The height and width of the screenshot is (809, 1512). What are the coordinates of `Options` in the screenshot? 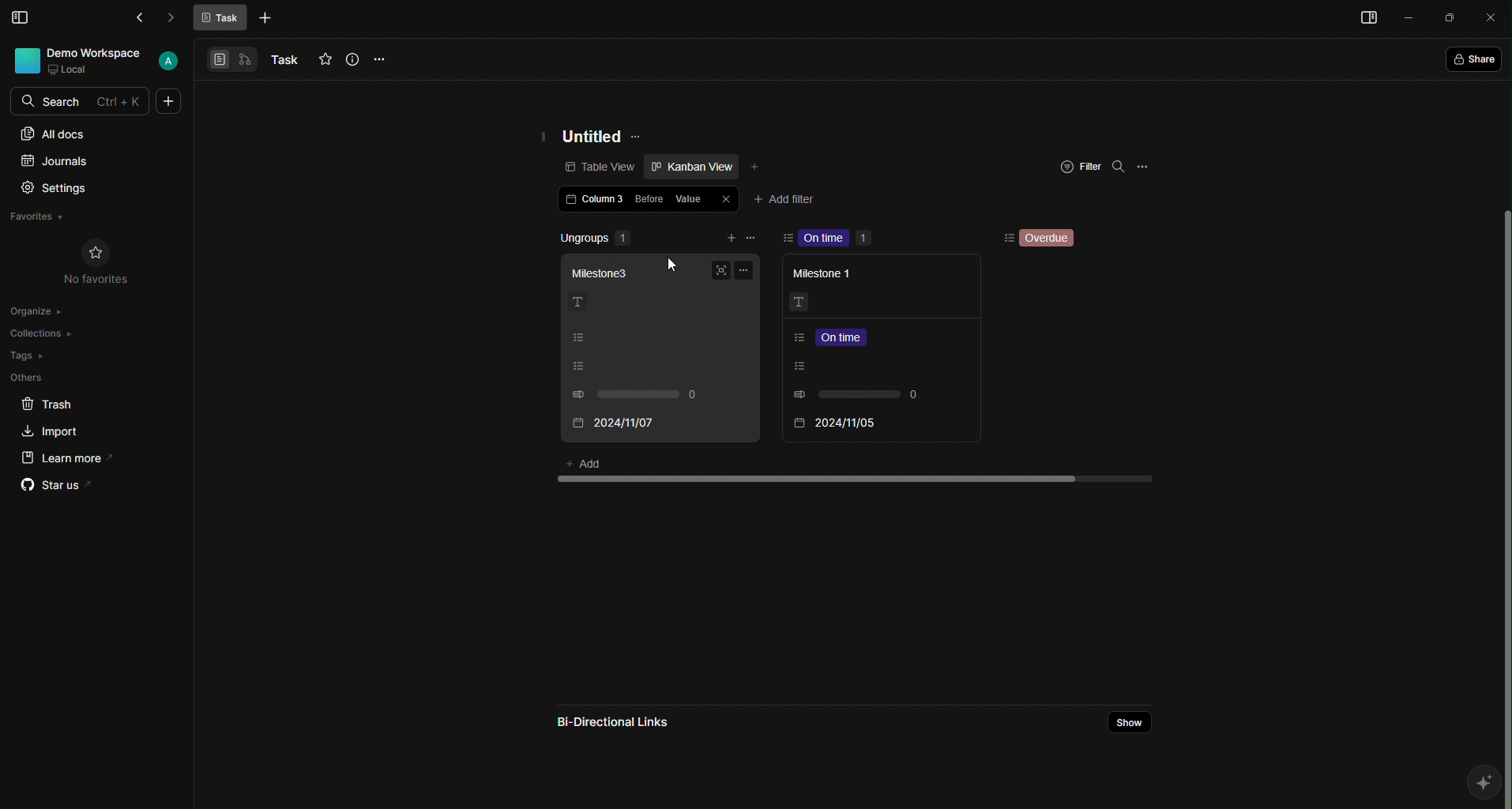 It's located at (381, 58).